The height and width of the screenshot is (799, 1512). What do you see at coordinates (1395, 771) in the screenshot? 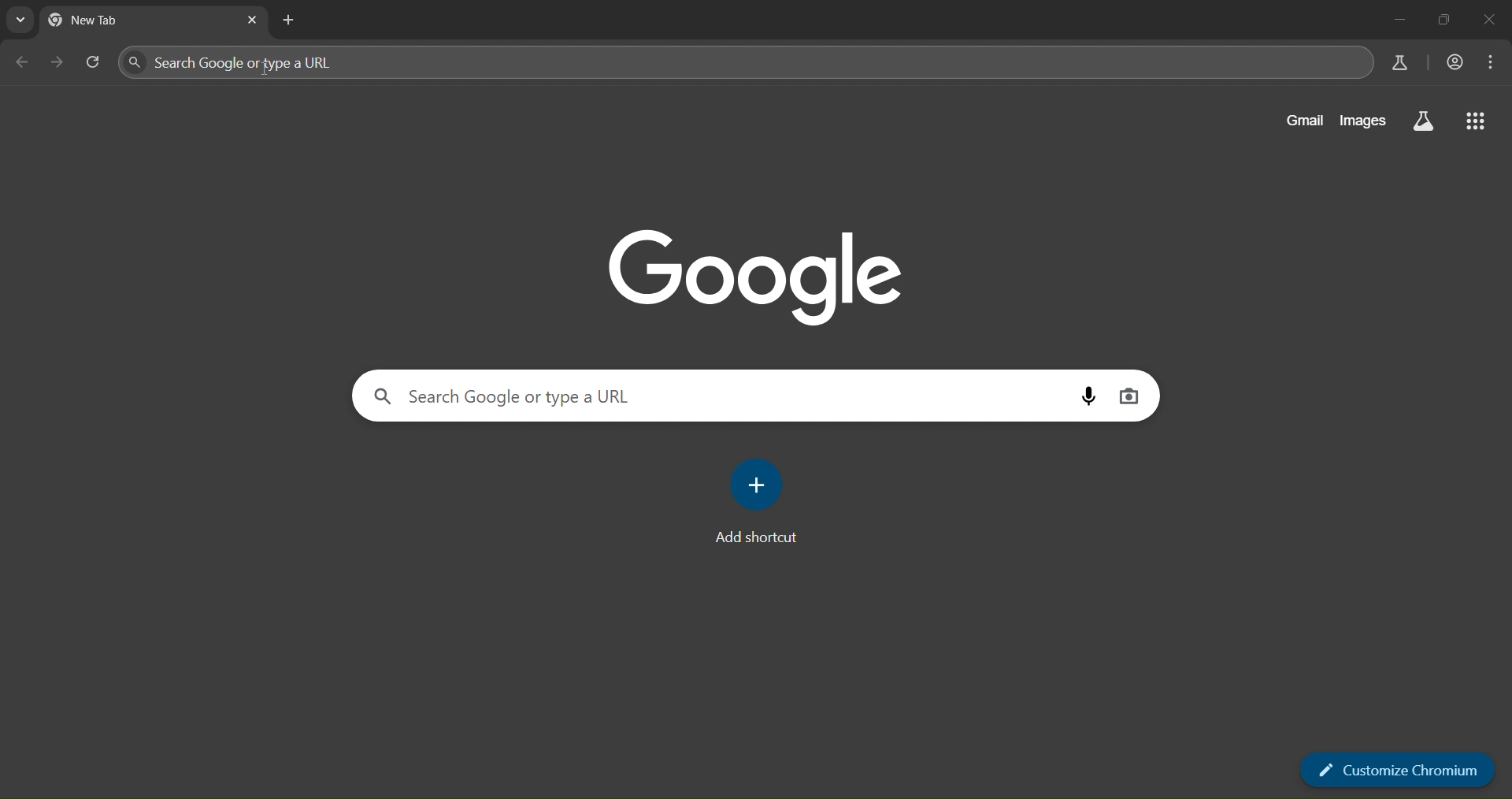
I see `customize chromium` at bounding box center [1395, 771].